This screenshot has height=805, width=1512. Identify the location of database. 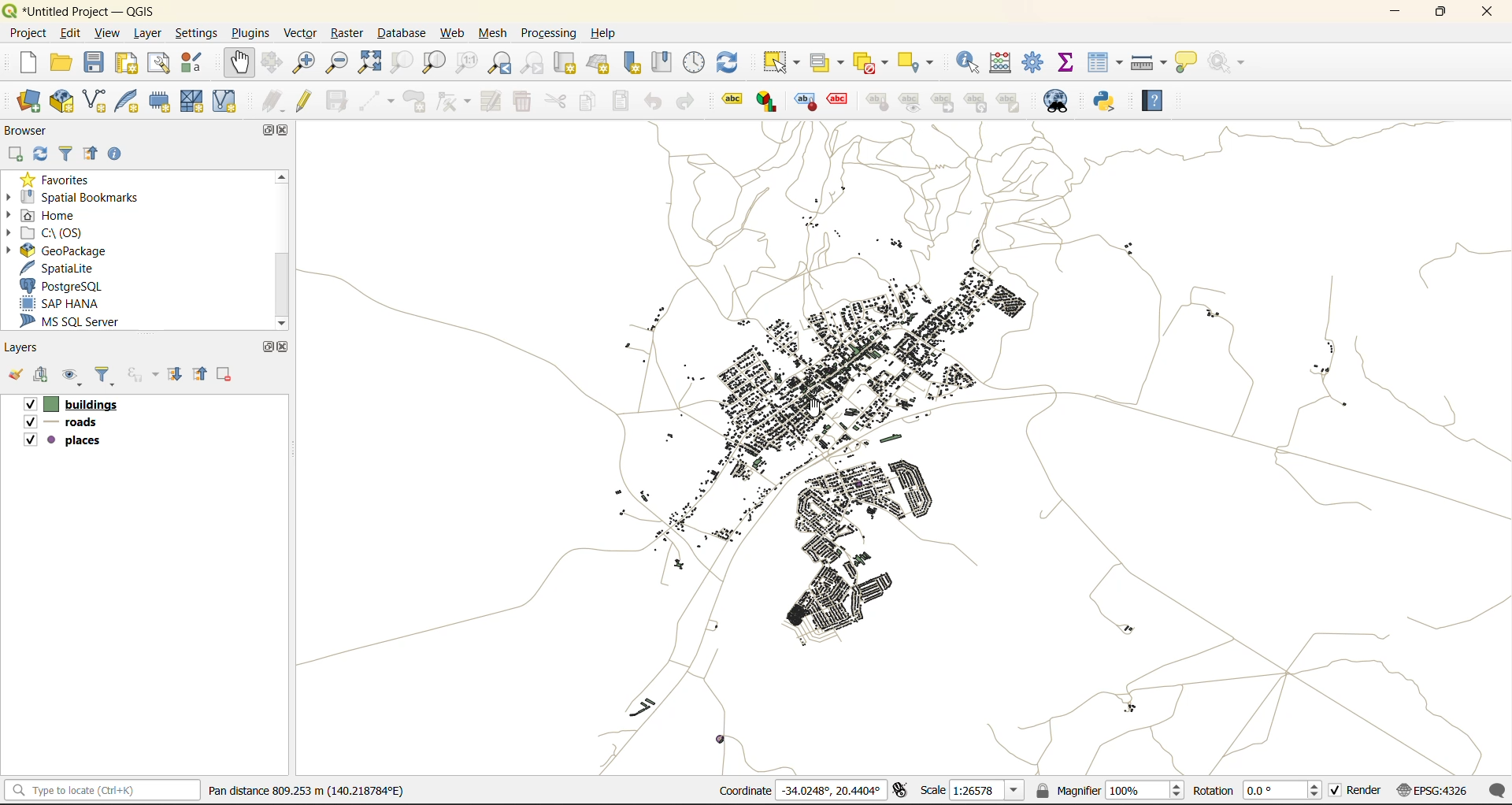
(400, 31).